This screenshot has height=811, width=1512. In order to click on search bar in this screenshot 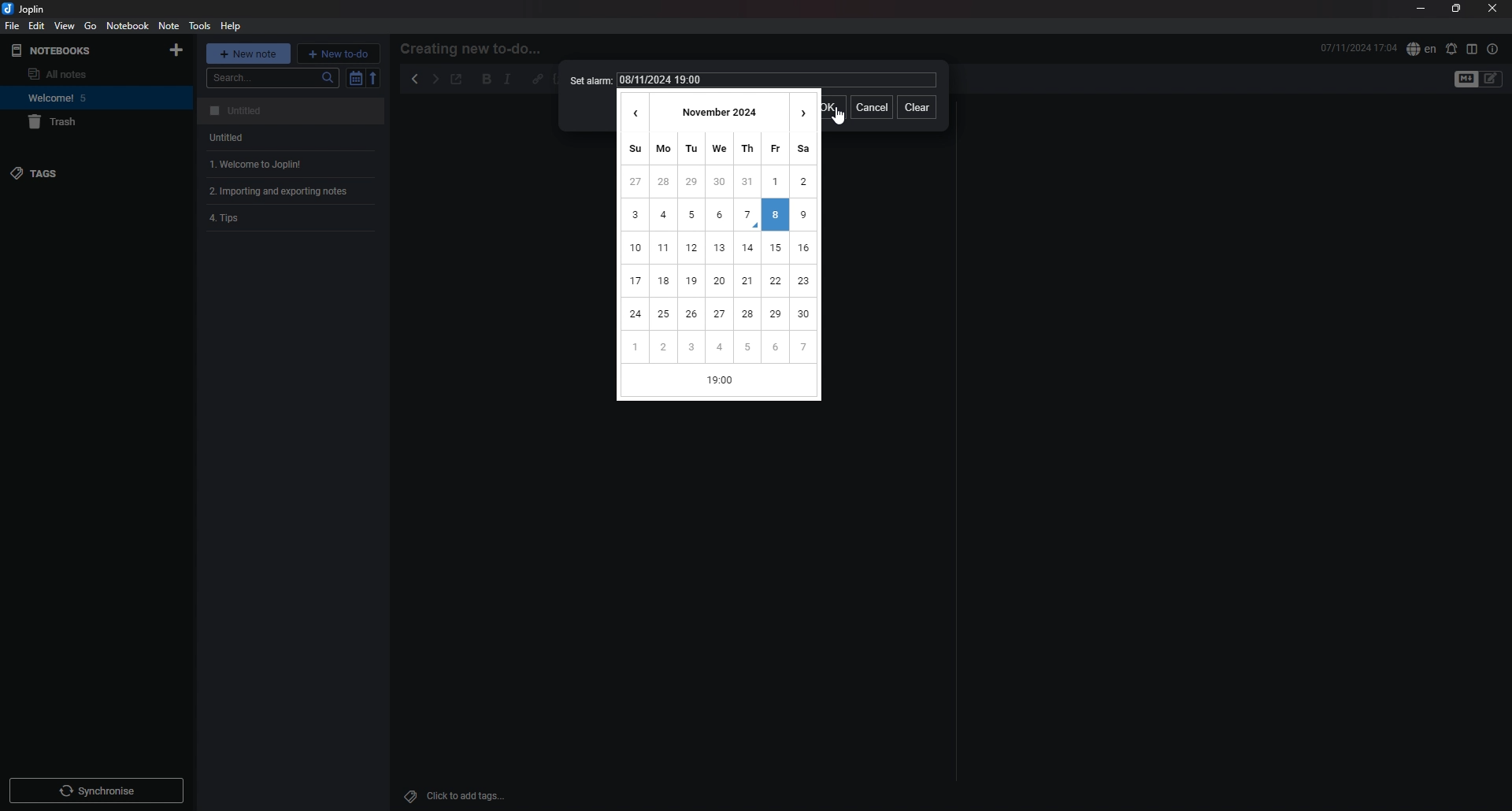, I will do `click(272, 78)`.